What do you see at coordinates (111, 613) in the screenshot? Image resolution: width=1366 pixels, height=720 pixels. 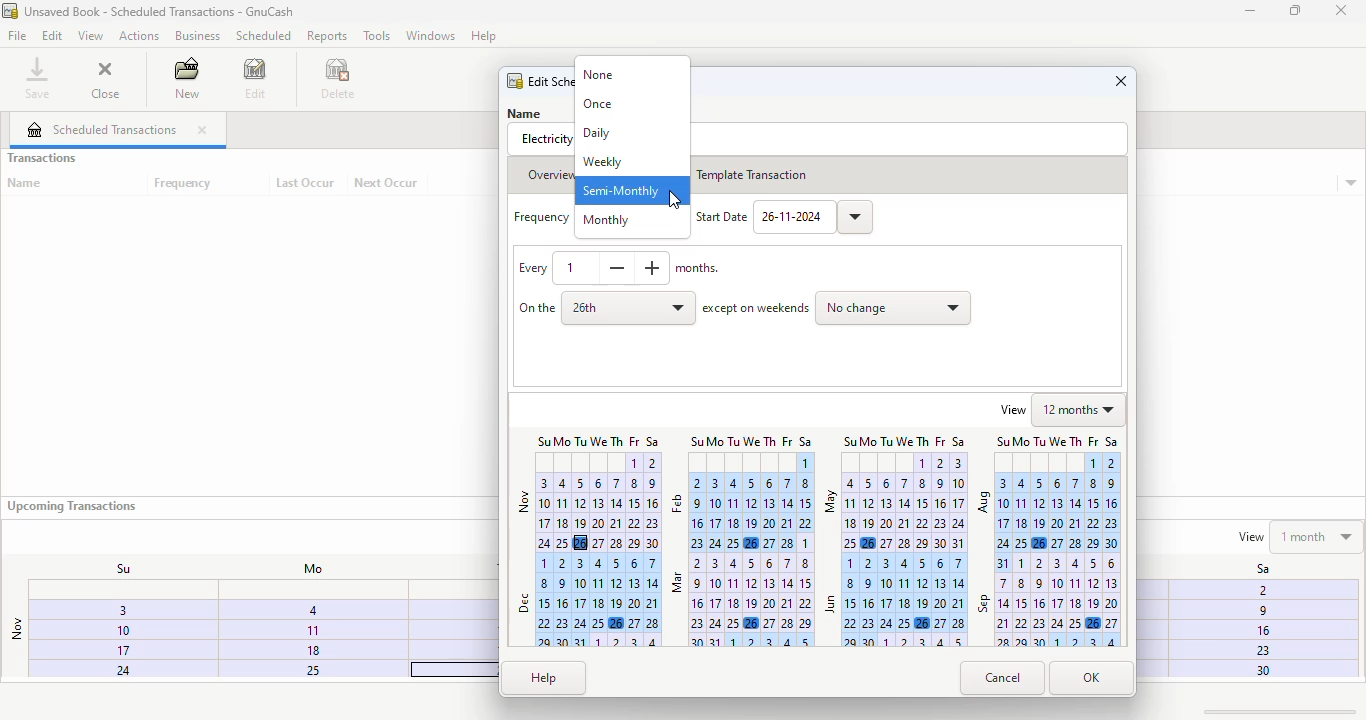 I see `3` at bounding box center [111, 613].